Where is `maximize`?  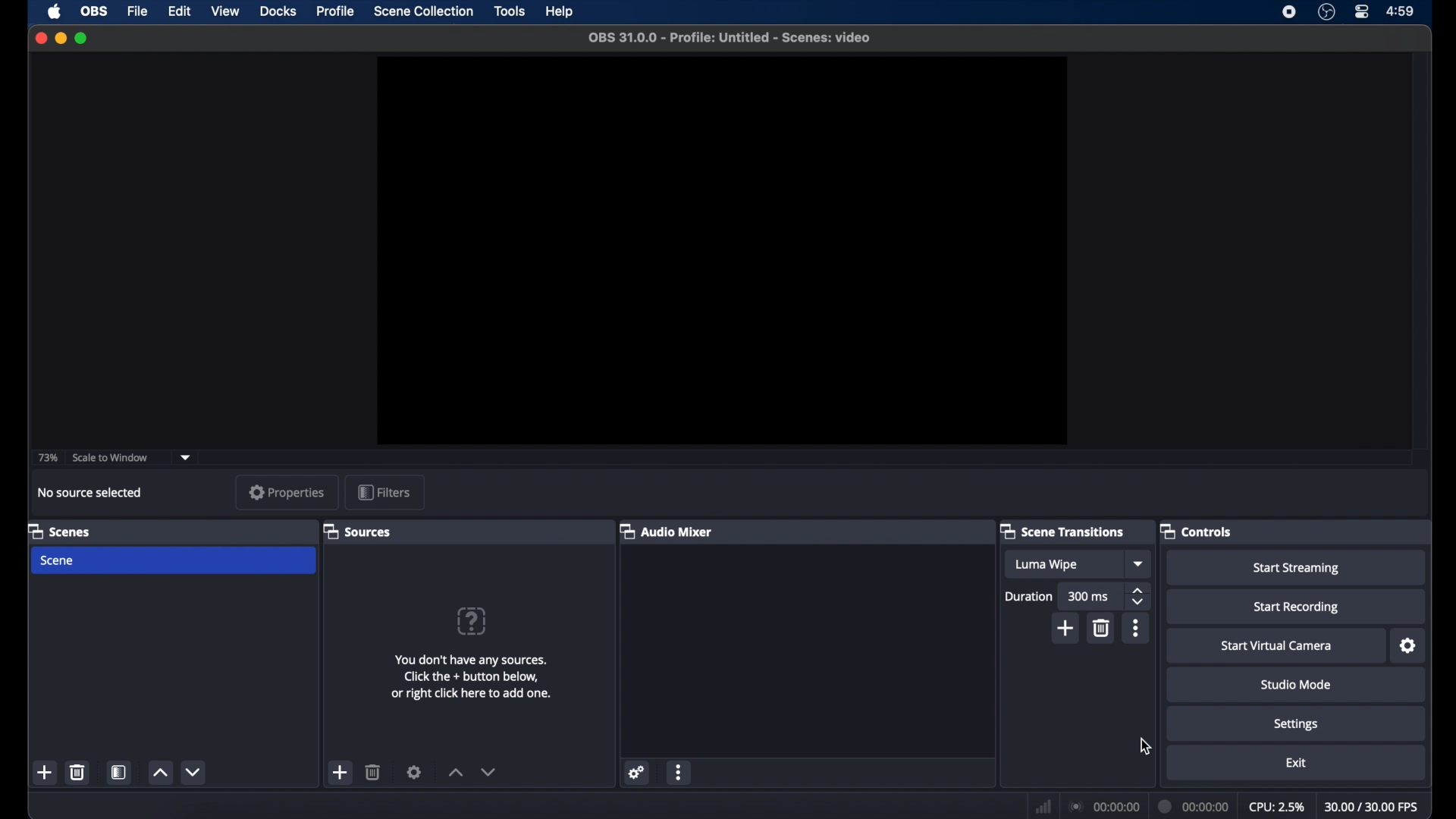
maximize is located at coordinates (83, 38).